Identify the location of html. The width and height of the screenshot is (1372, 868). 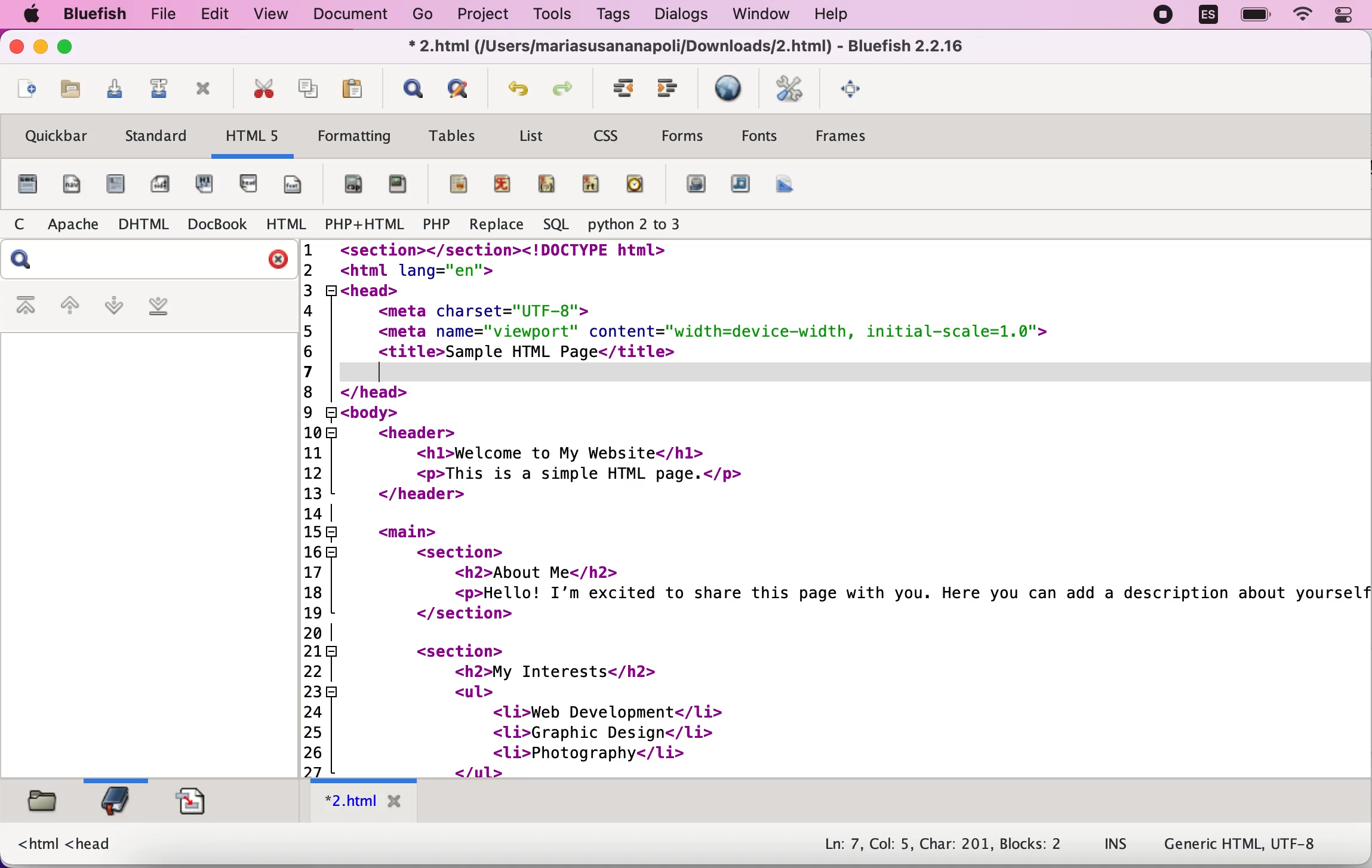
(286, 225).